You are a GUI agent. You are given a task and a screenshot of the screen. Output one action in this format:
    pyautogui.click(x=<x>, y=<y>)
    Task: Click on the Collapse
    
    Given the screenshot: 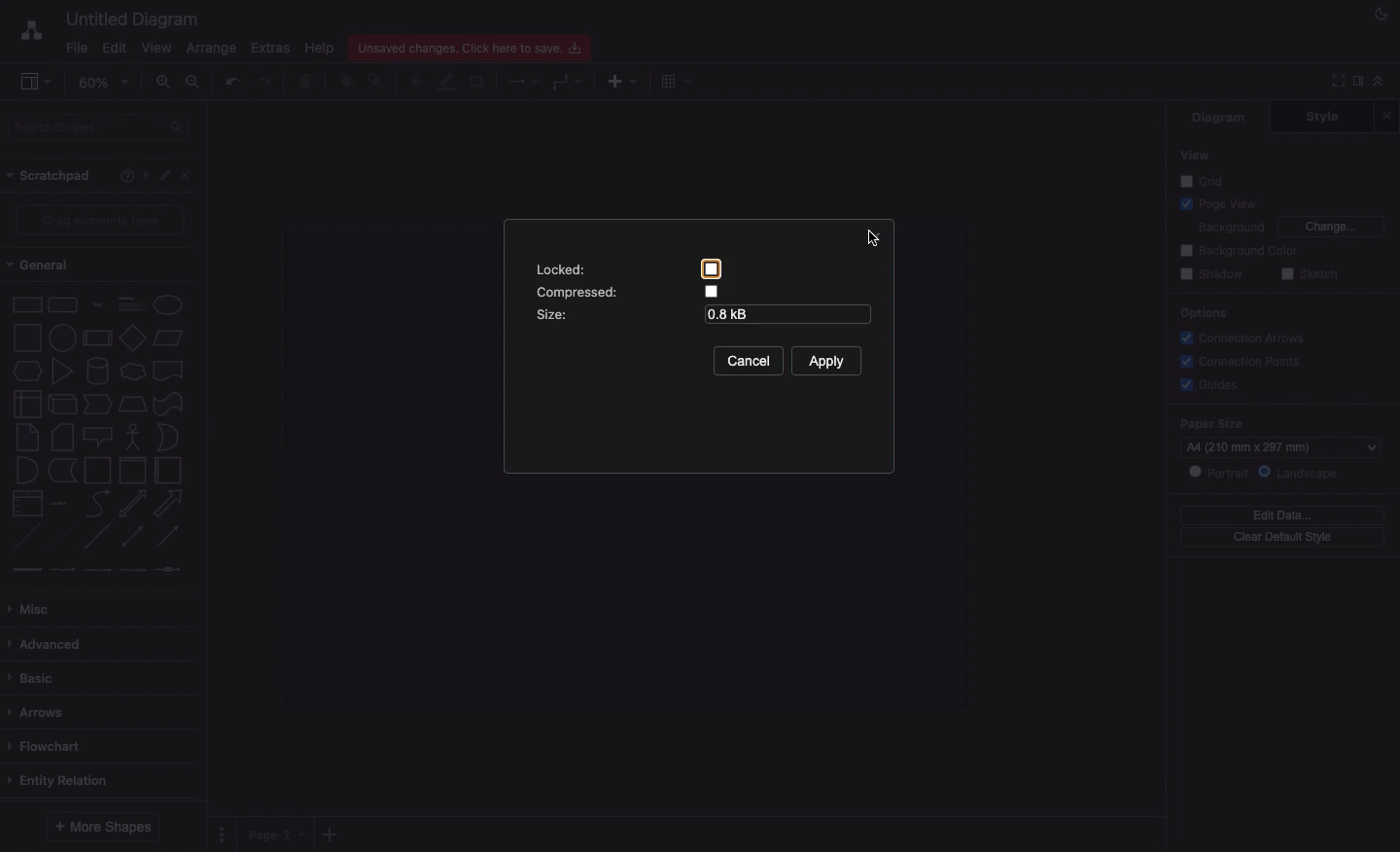 What is the action you would take?
    pyautogui.click(x=1379, y=80)
    